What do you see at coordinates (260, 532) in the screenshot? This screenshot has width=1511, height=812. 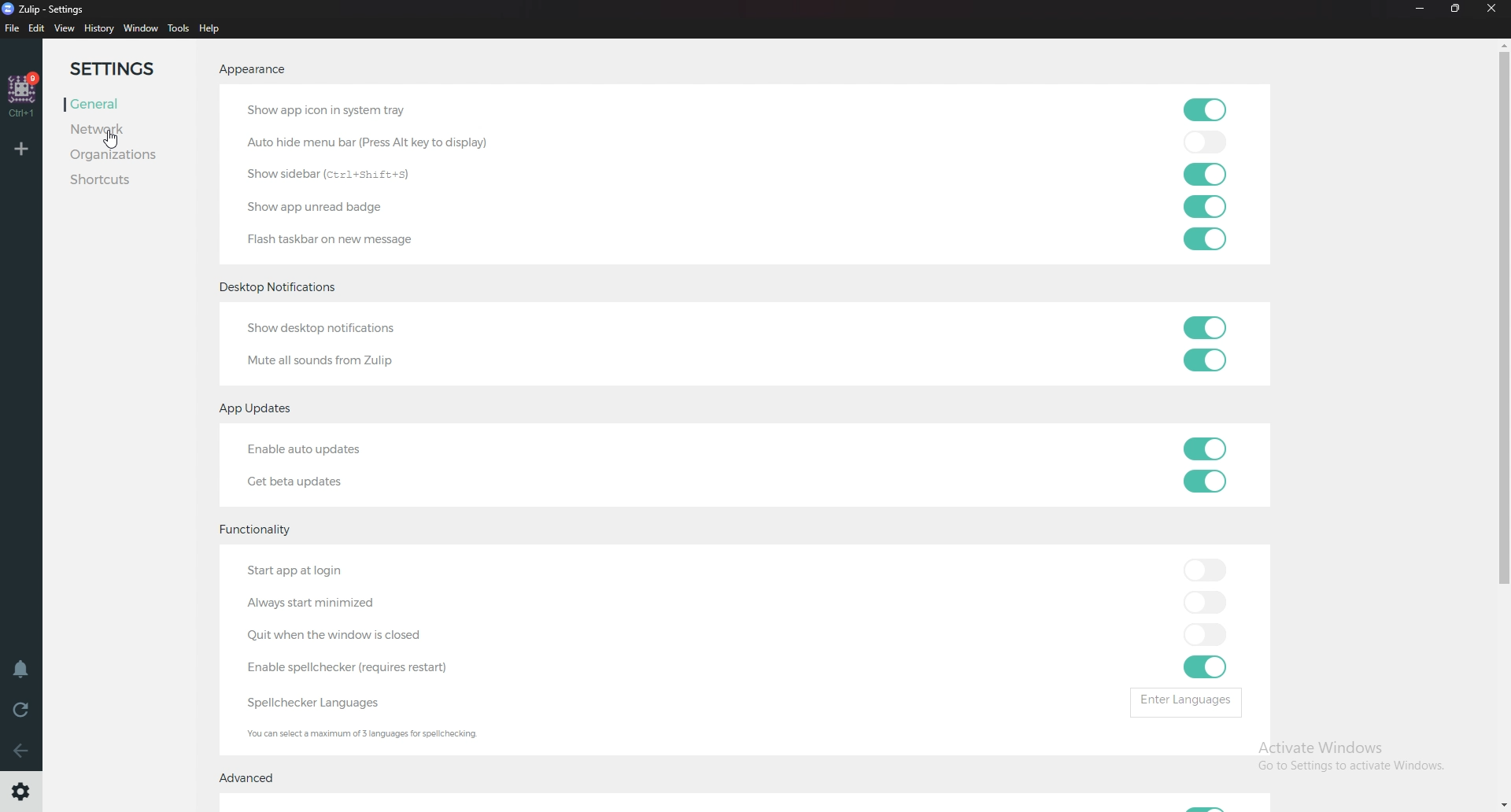 I see `Functionality` at bounding box center [260, 532].